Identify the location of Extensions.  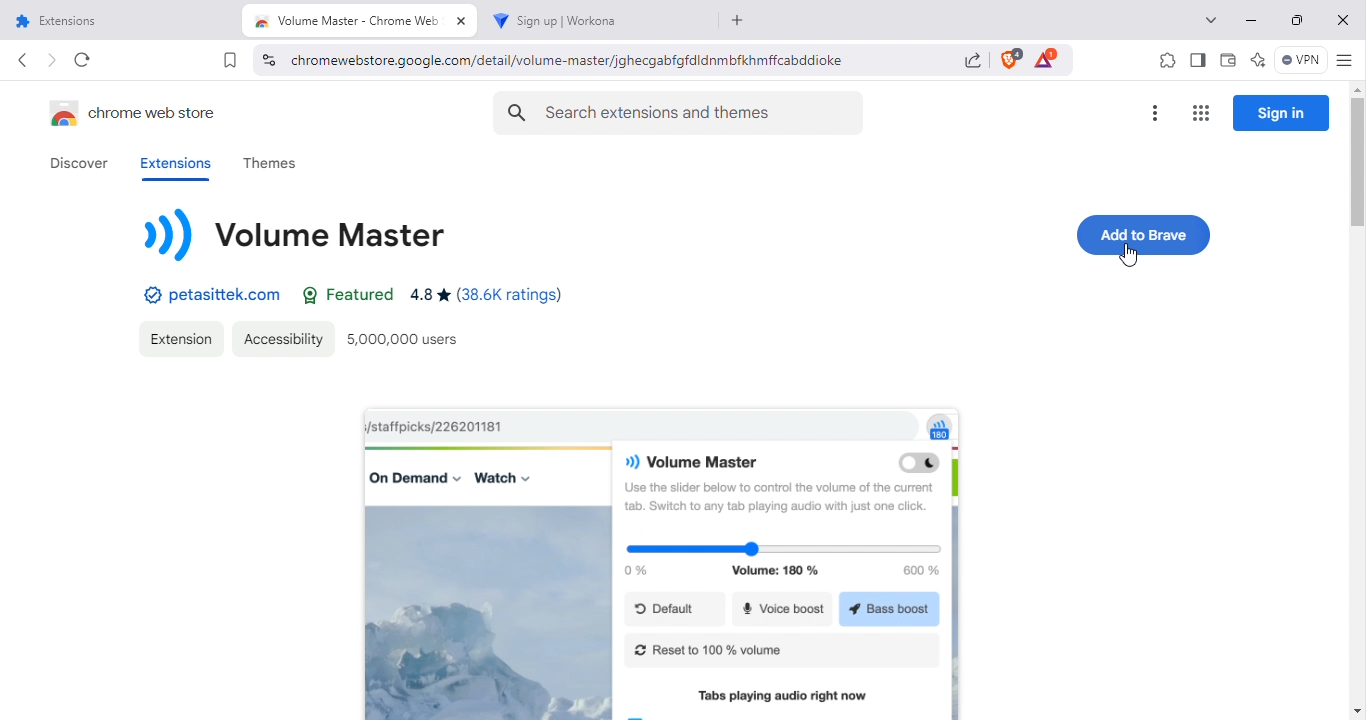
(184, 338).